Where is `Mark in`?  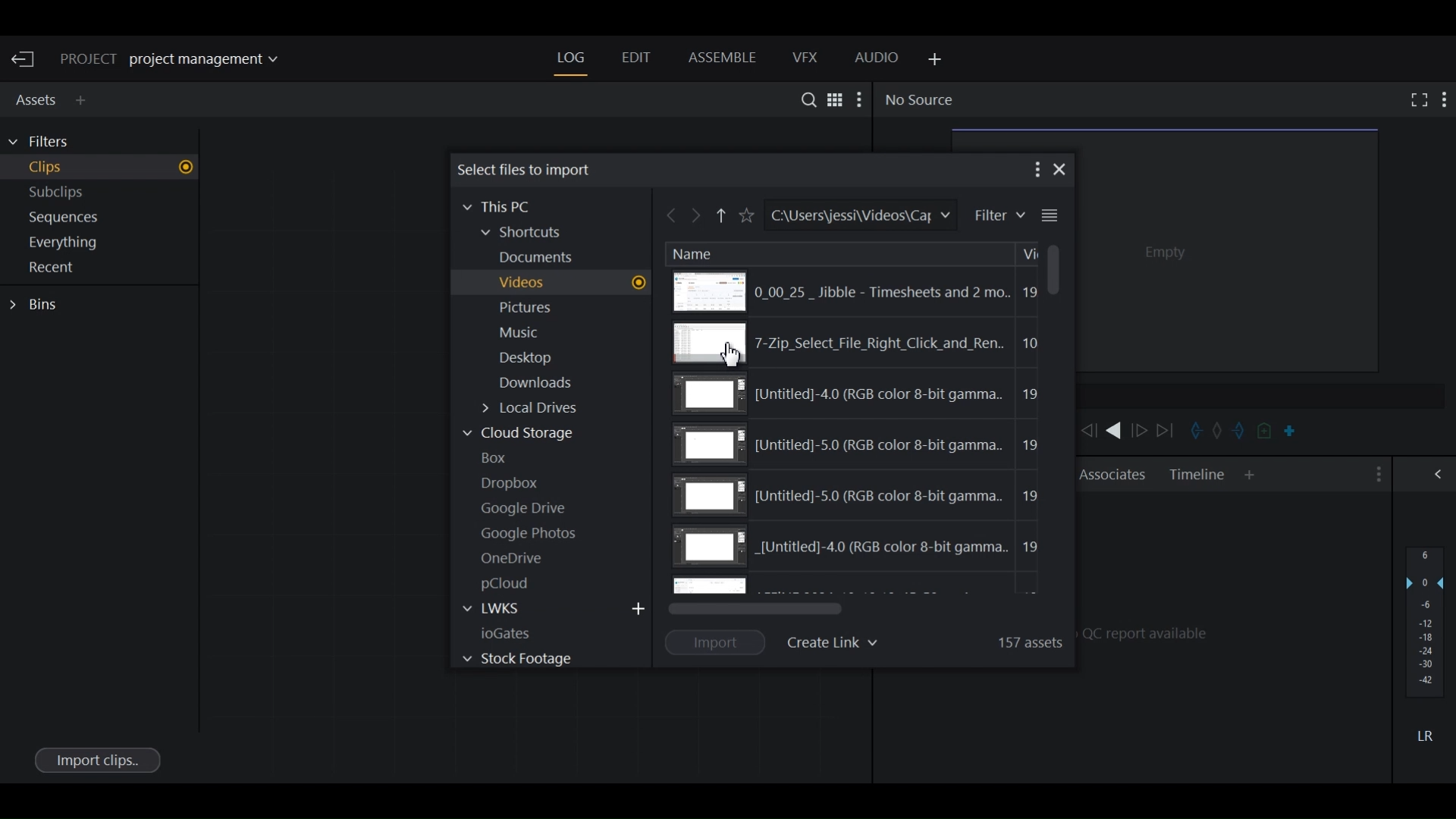
Mark in is located at coordinates (1194, 430).